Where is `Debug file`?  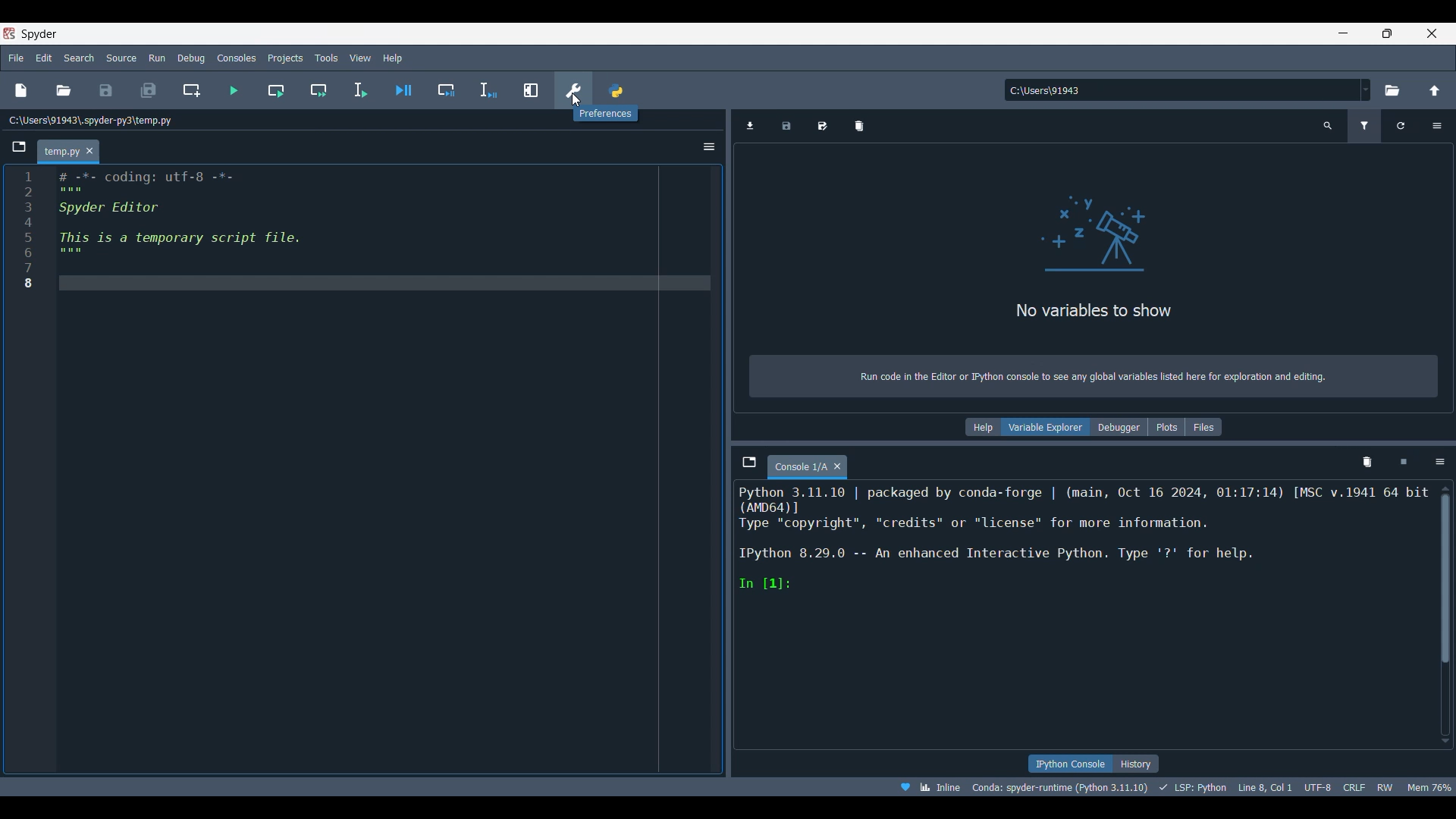
Debug file is located at coordinates (403, 89).